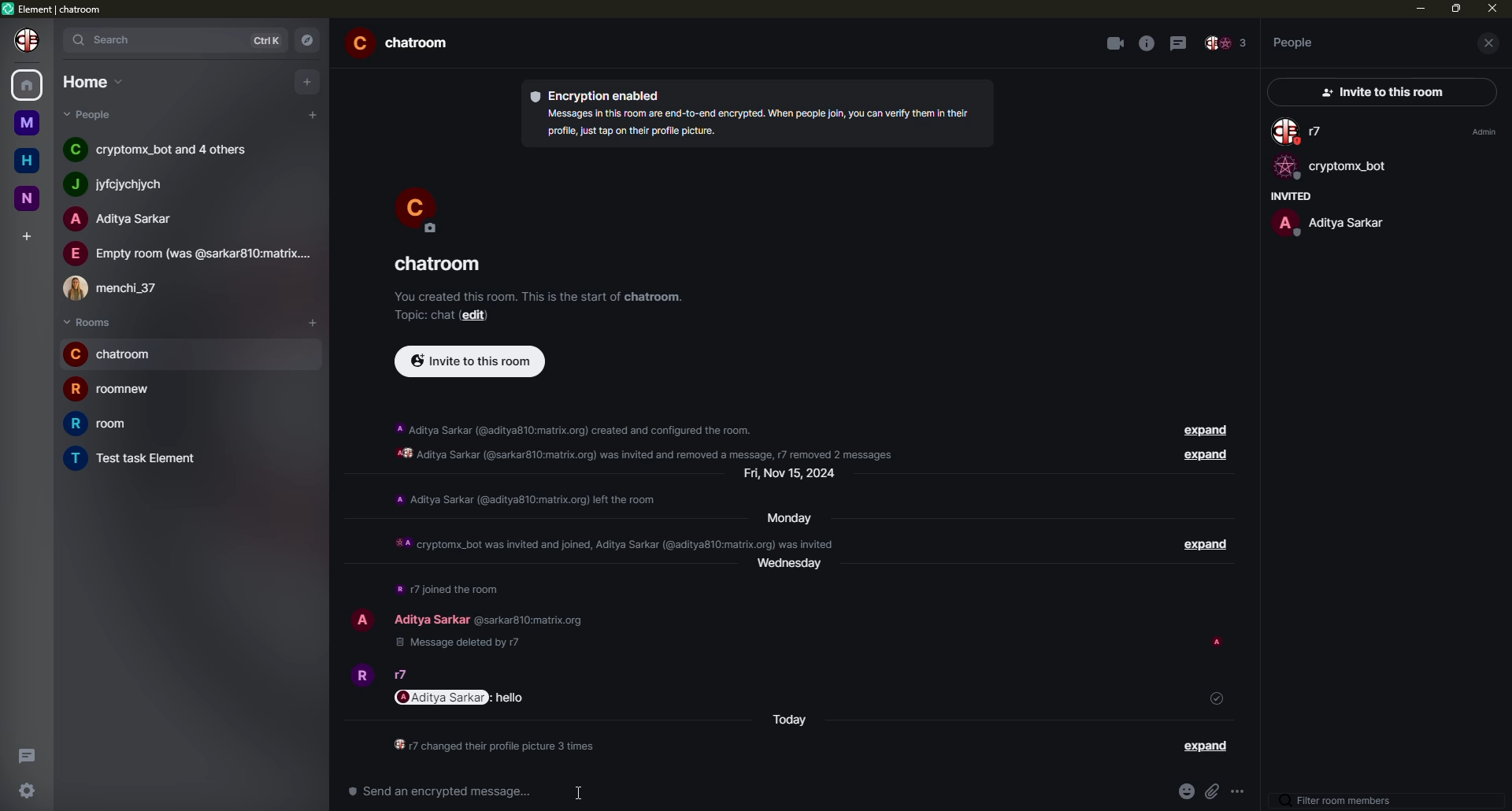 This screenshot has height=811, width=1512. I want to click on people, so click(119, 219).